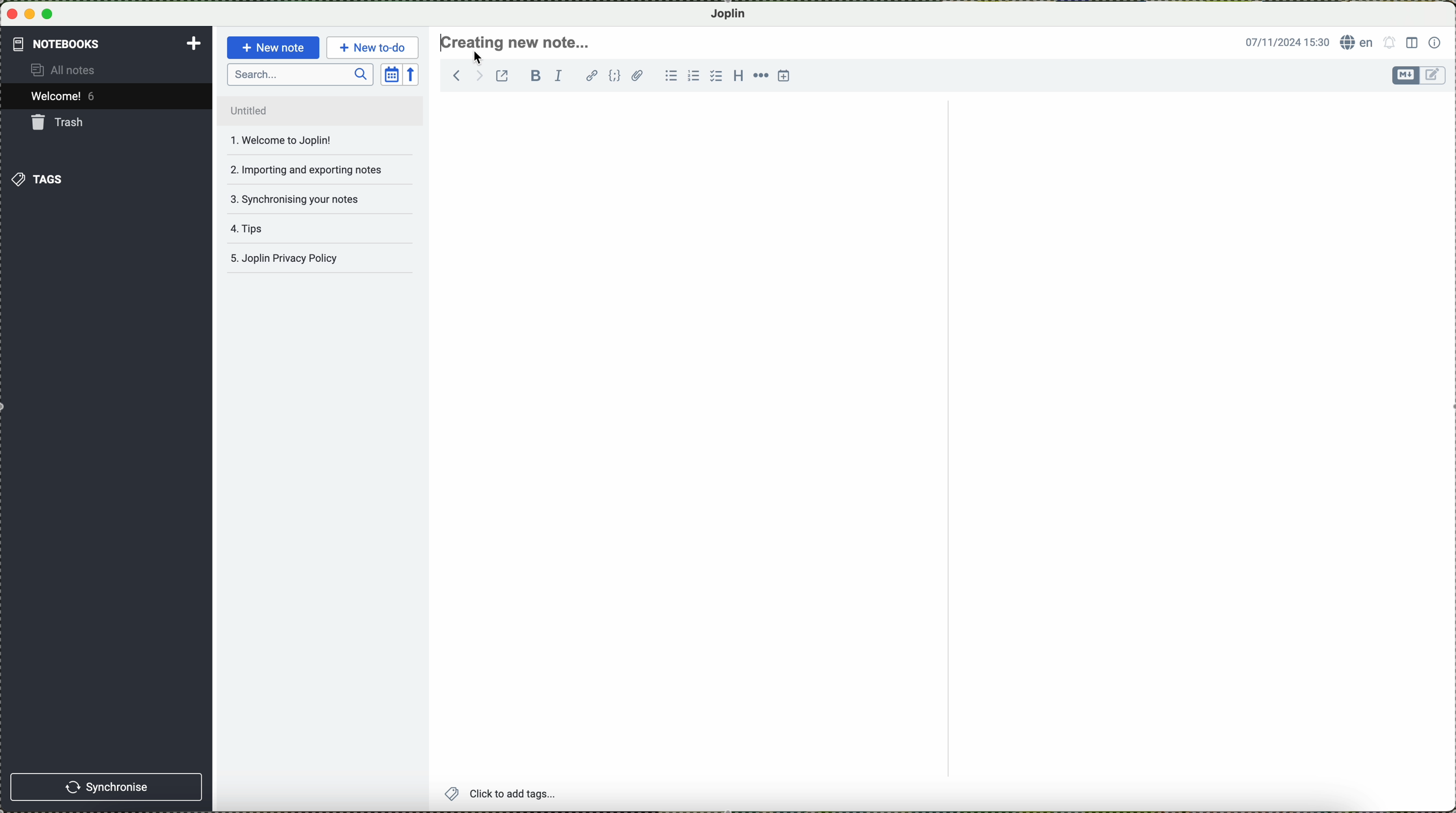 This screenshot has width=1456, height=813. Describe the element at coordinates (500, 794) in the screenshot. I see `add tags` at that location.